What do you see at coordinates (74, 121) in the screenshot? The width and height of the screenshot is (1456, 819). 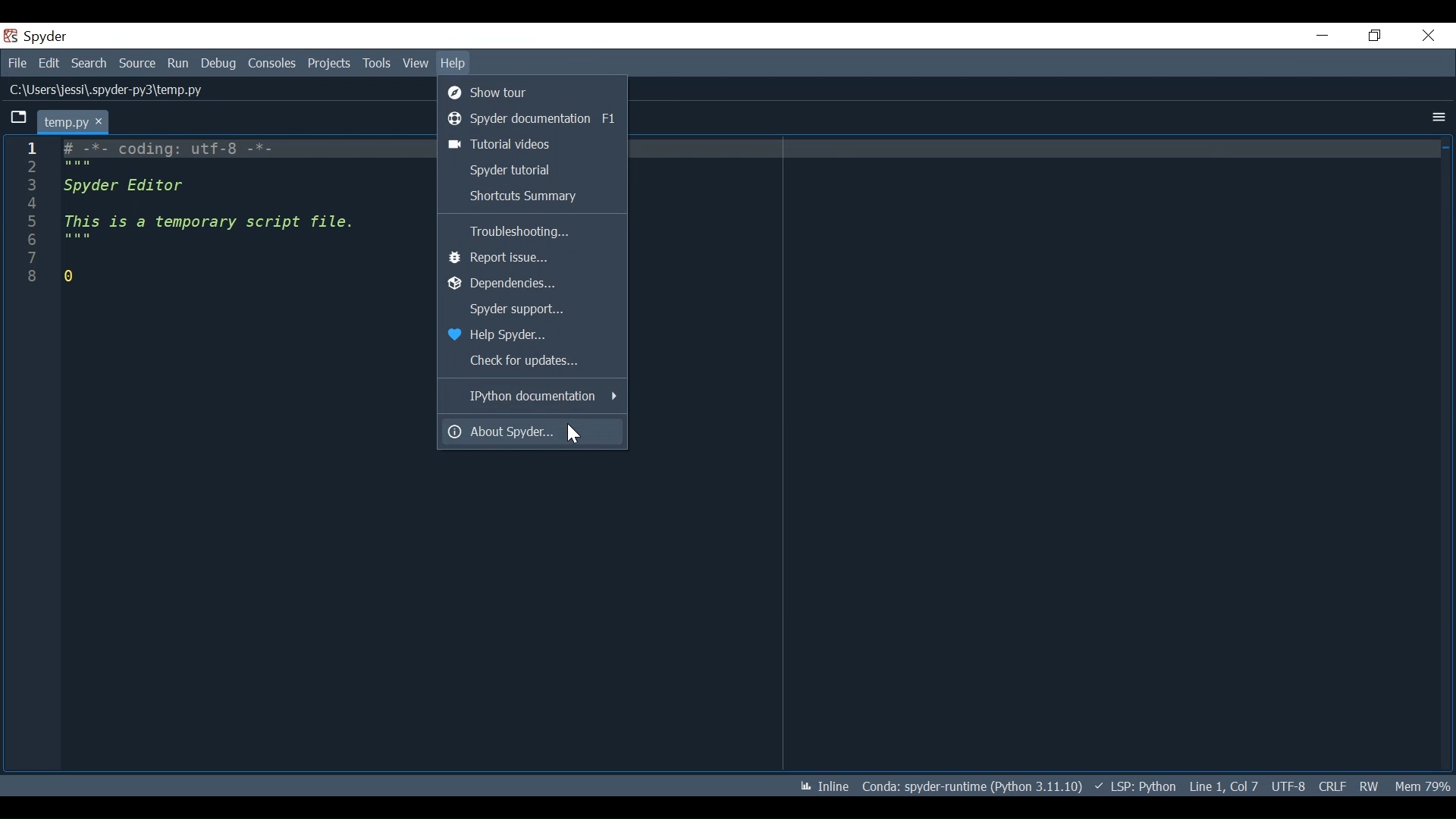 I see `Current tab` at bounding box center [74, 121].